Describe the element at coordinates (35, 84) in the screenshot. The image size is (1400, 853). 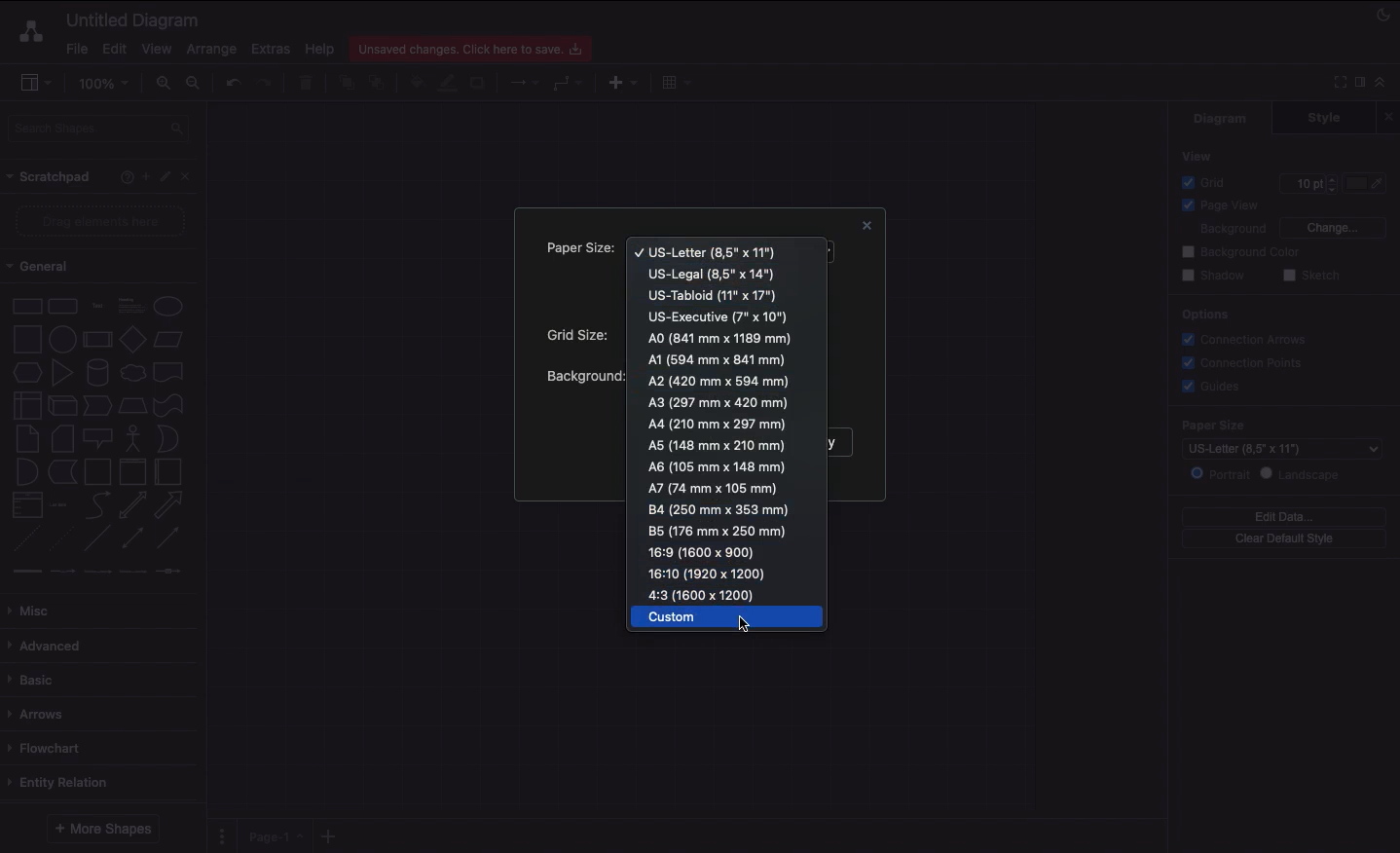
I see `Sidebar ` at that location.